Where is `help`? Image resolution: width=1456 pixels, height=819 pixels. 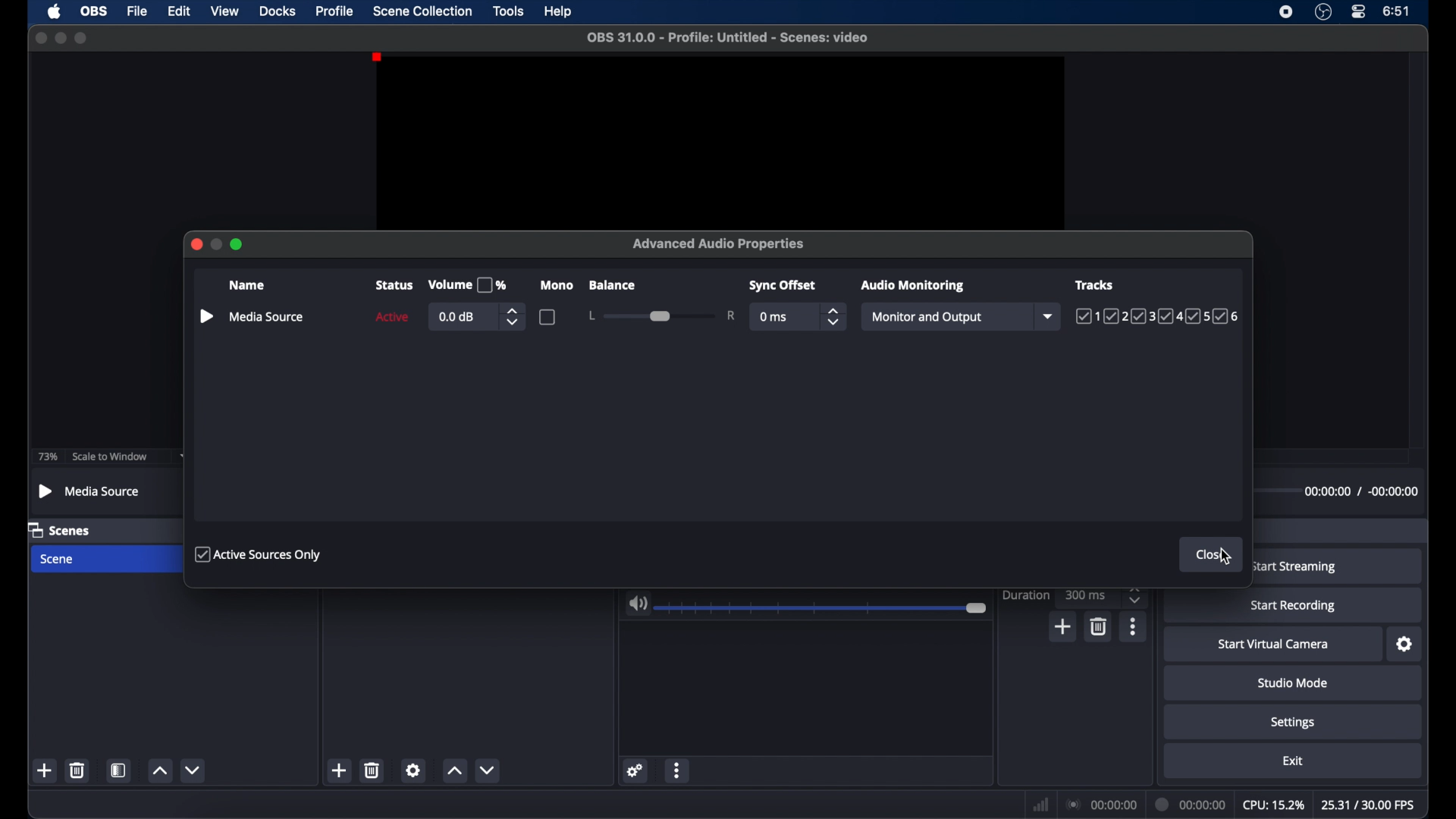
help is located at coordinates (560, 12).